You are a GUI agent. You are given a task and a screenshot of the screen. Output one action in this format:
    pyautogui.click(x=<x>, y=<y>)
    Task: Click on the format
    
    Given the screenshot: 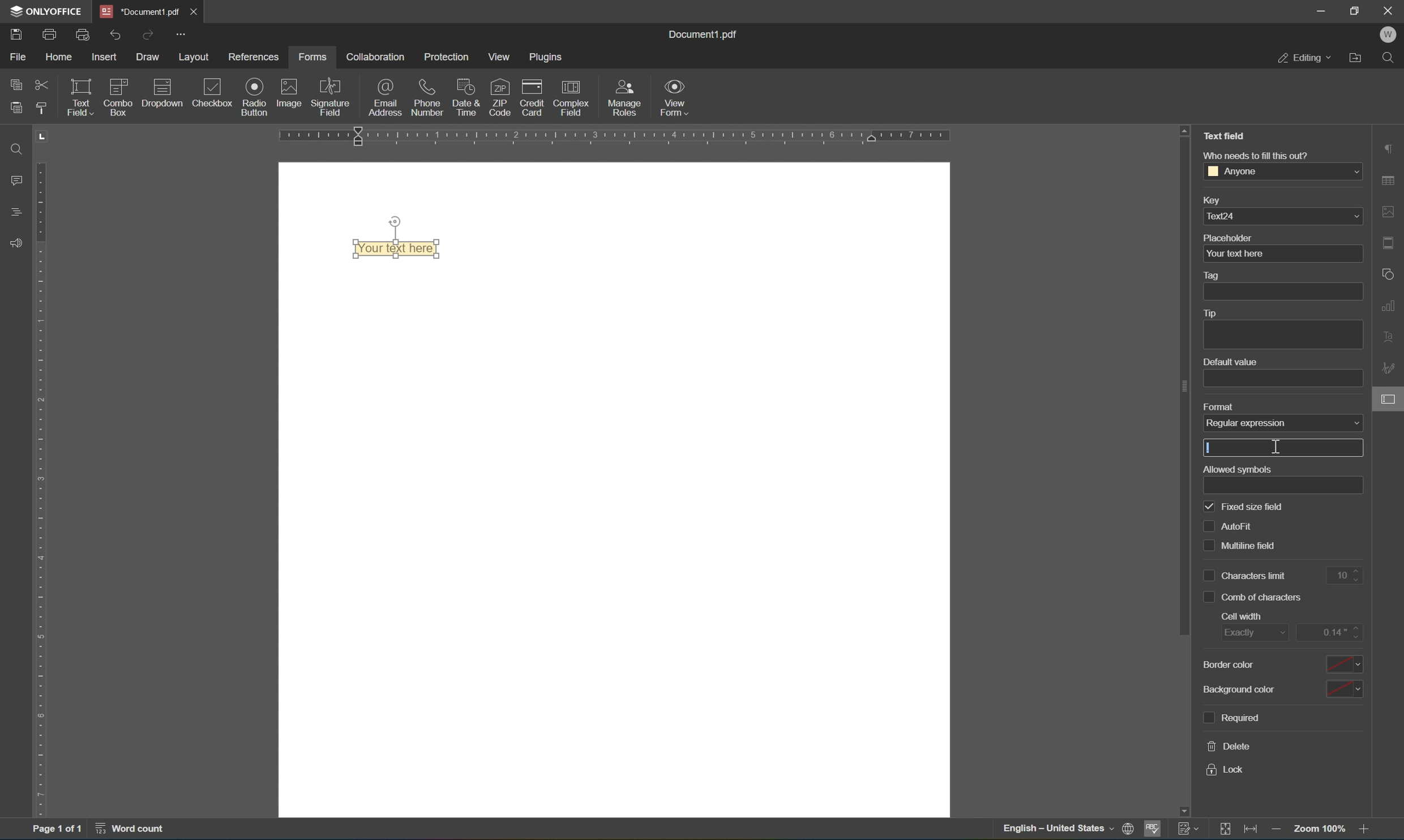 What is the action you would take?
    pyautogui.click(x=1219, y=408)
    